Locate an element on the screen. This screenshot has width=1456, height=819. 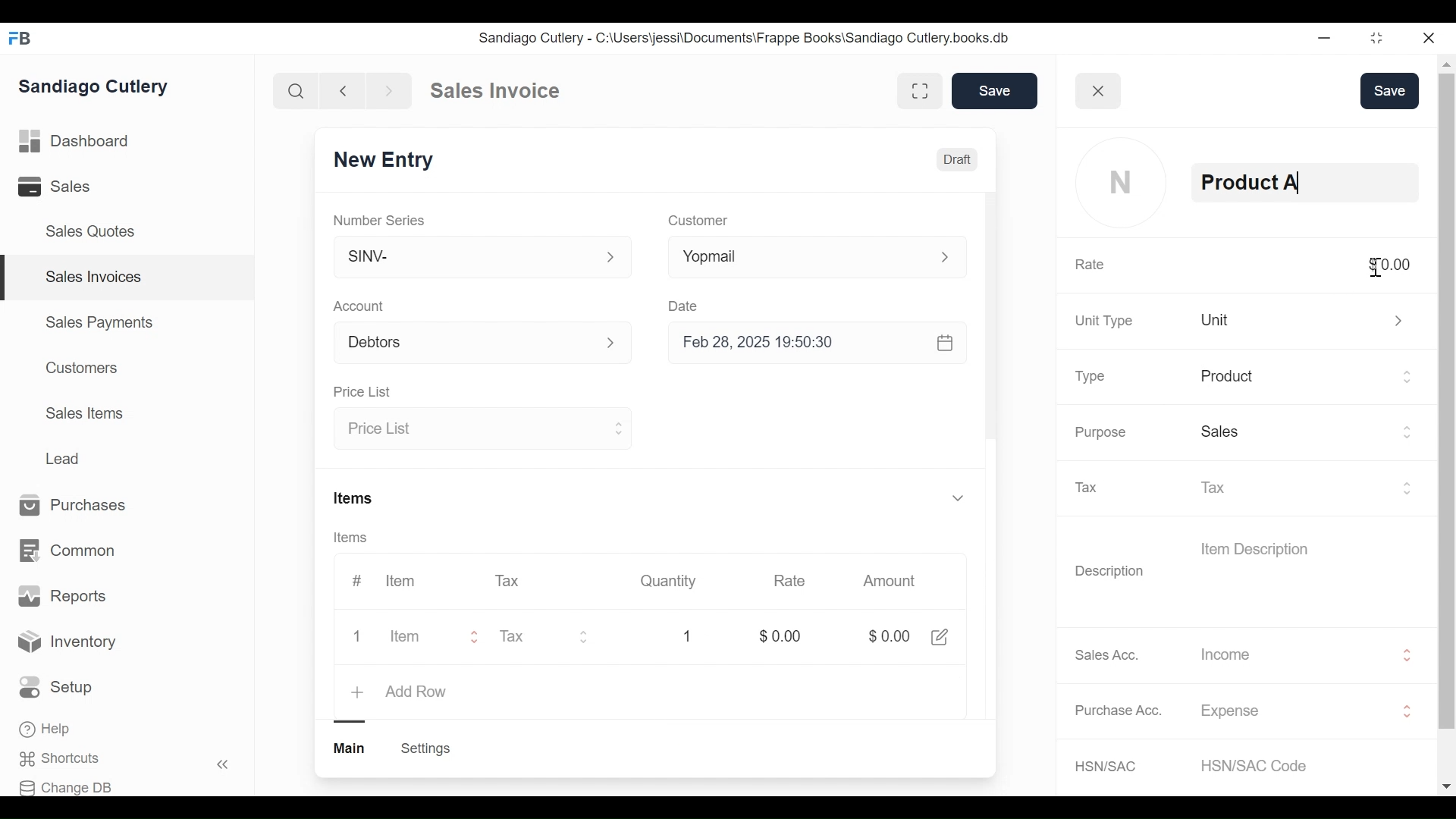
Tax  is located at coordinates (553, 635).